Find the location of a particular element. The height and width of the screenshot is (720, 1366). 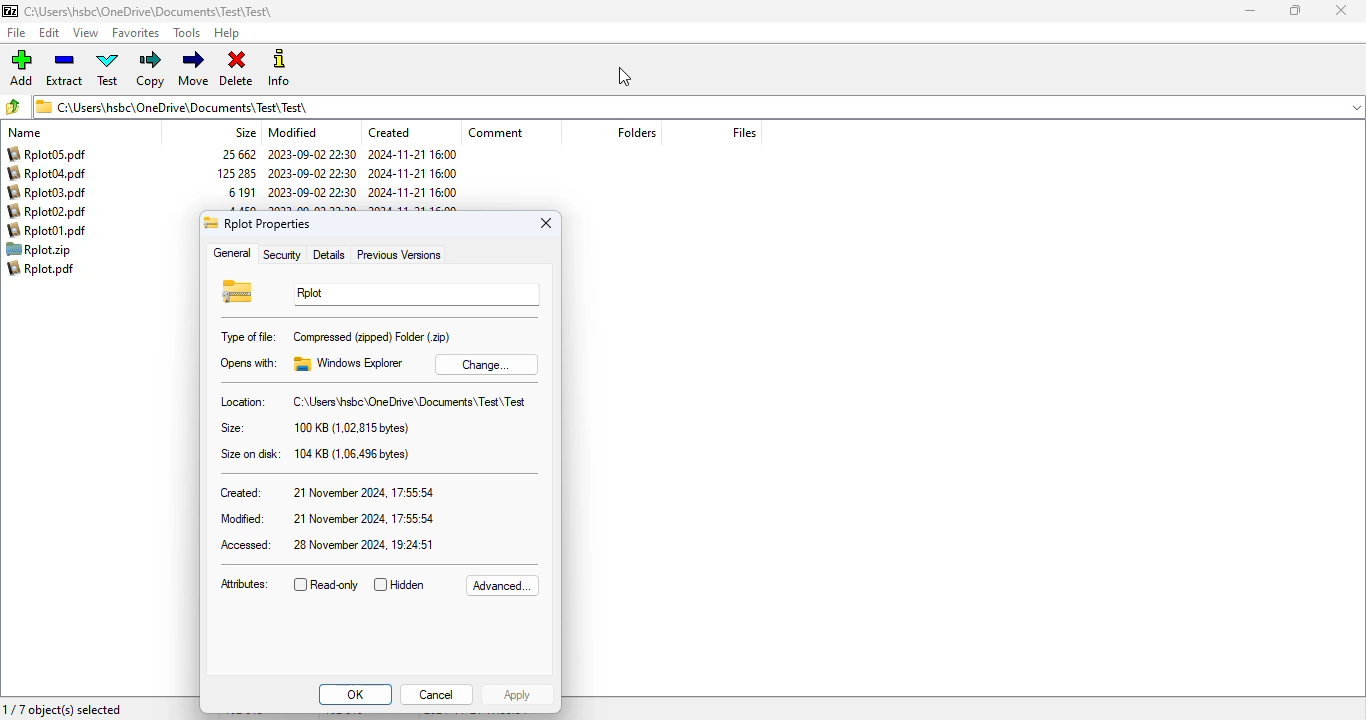

minimize is located at coordinates (1250, 10).